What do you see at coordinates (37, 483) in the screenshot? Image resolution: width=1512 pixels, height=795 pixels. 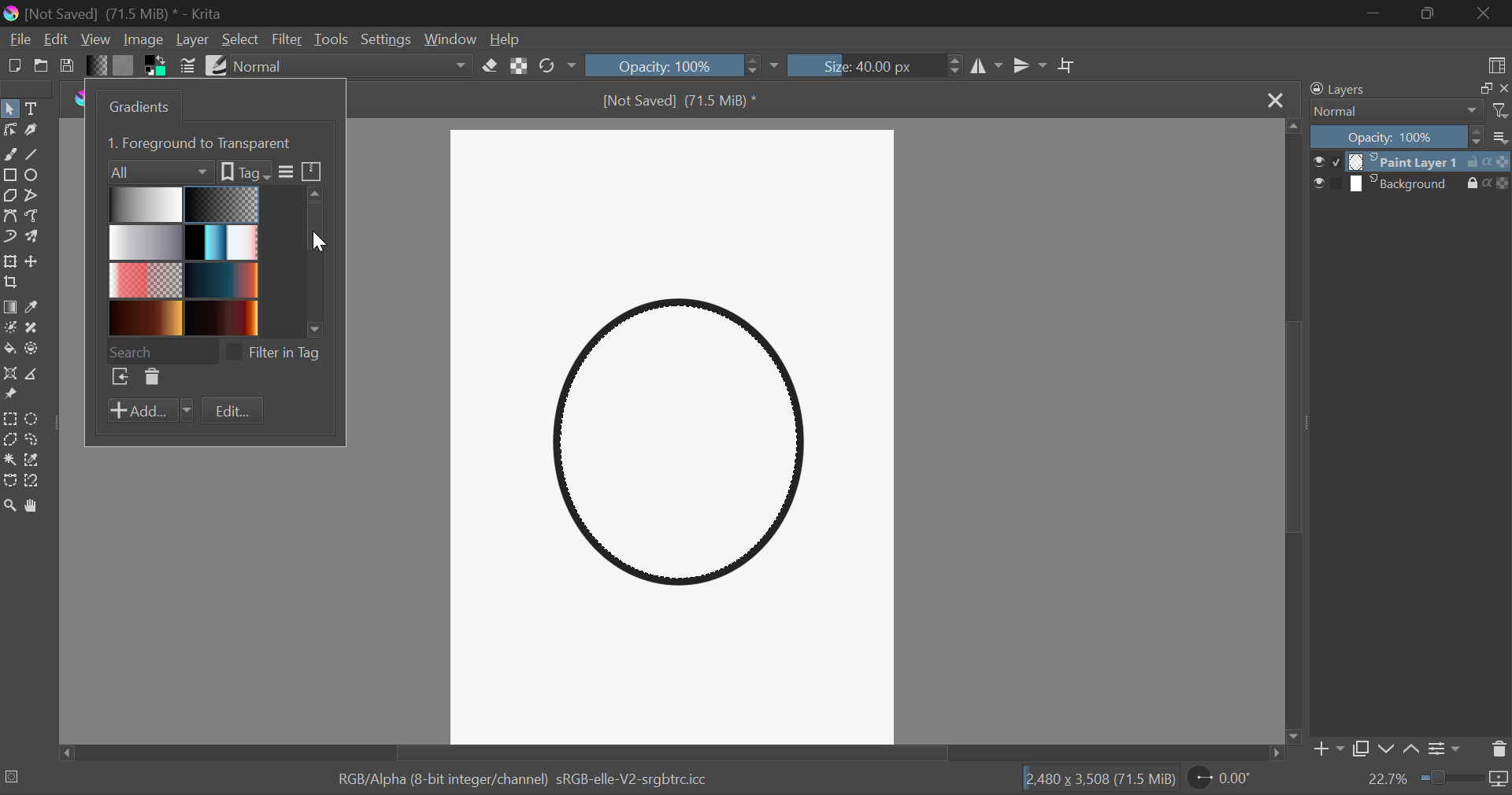 I see `Magnetic Curve Selection` at bounding box center [37, 483].